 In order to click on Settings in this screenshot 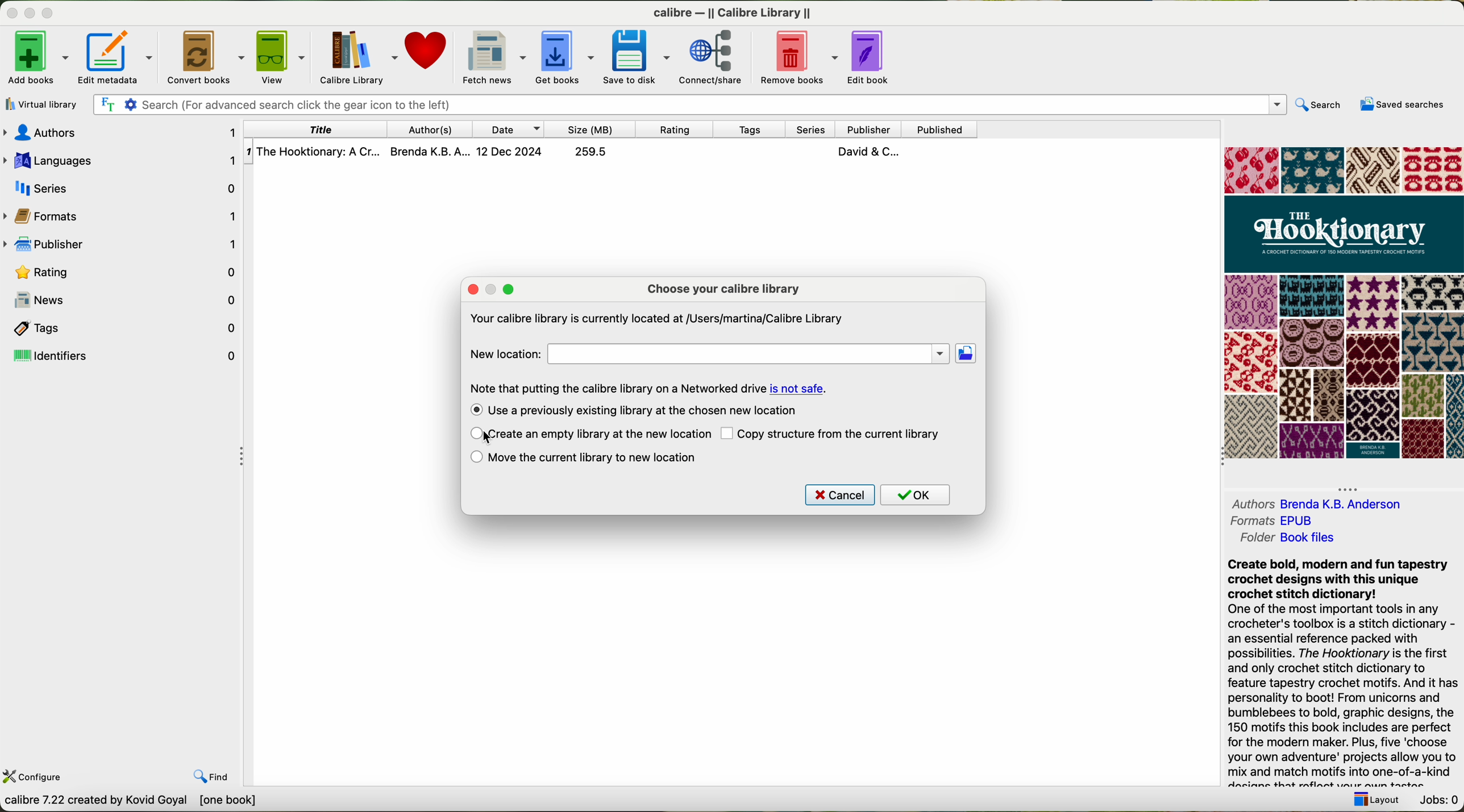, I will do `click(132, 104)`.